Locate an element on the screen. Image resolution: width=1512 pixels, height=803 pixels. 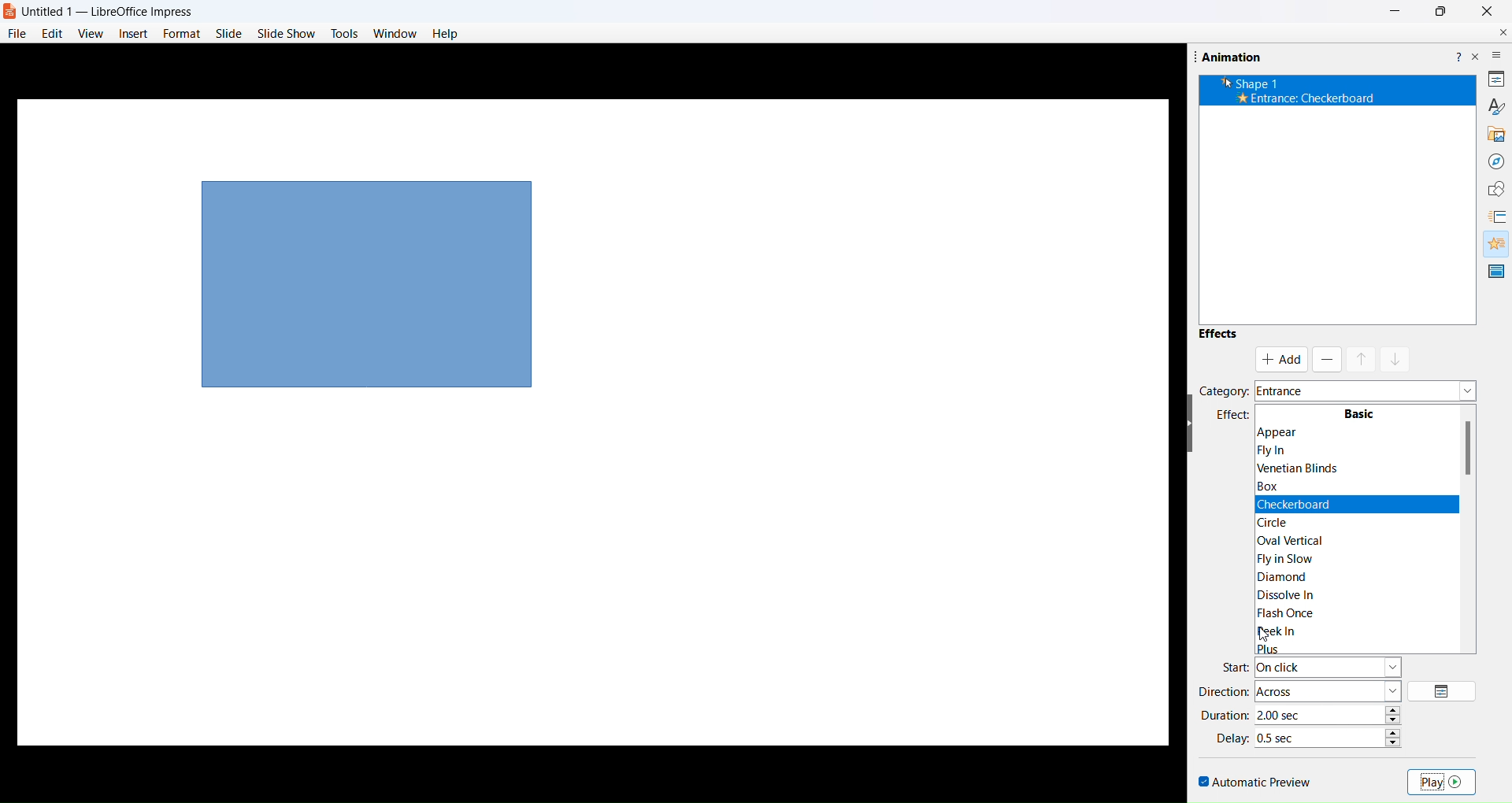
category is located at coordinates (1224, 390).